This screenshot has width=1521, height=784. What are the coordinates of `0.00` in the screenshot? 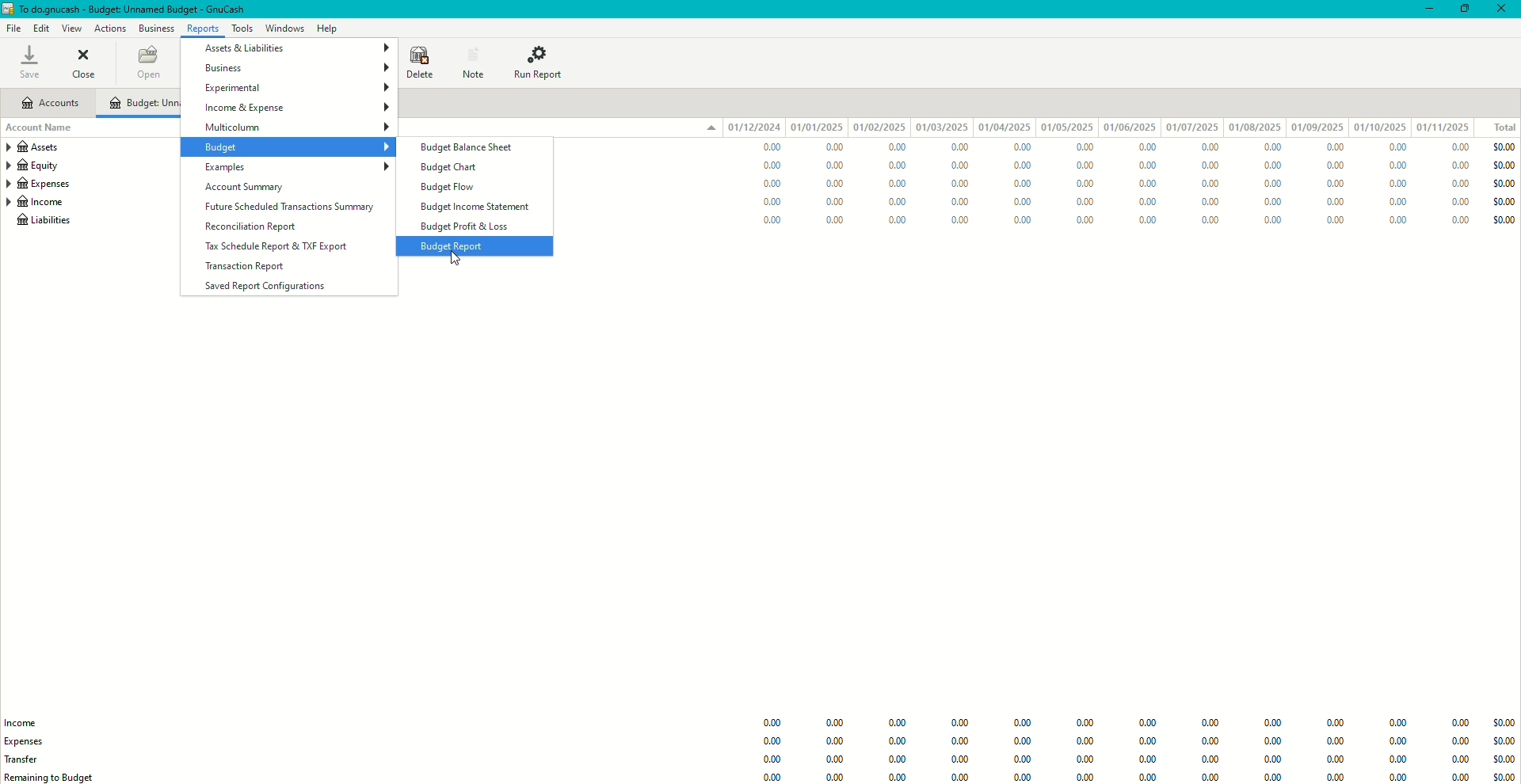 It's located at (1210, 741).